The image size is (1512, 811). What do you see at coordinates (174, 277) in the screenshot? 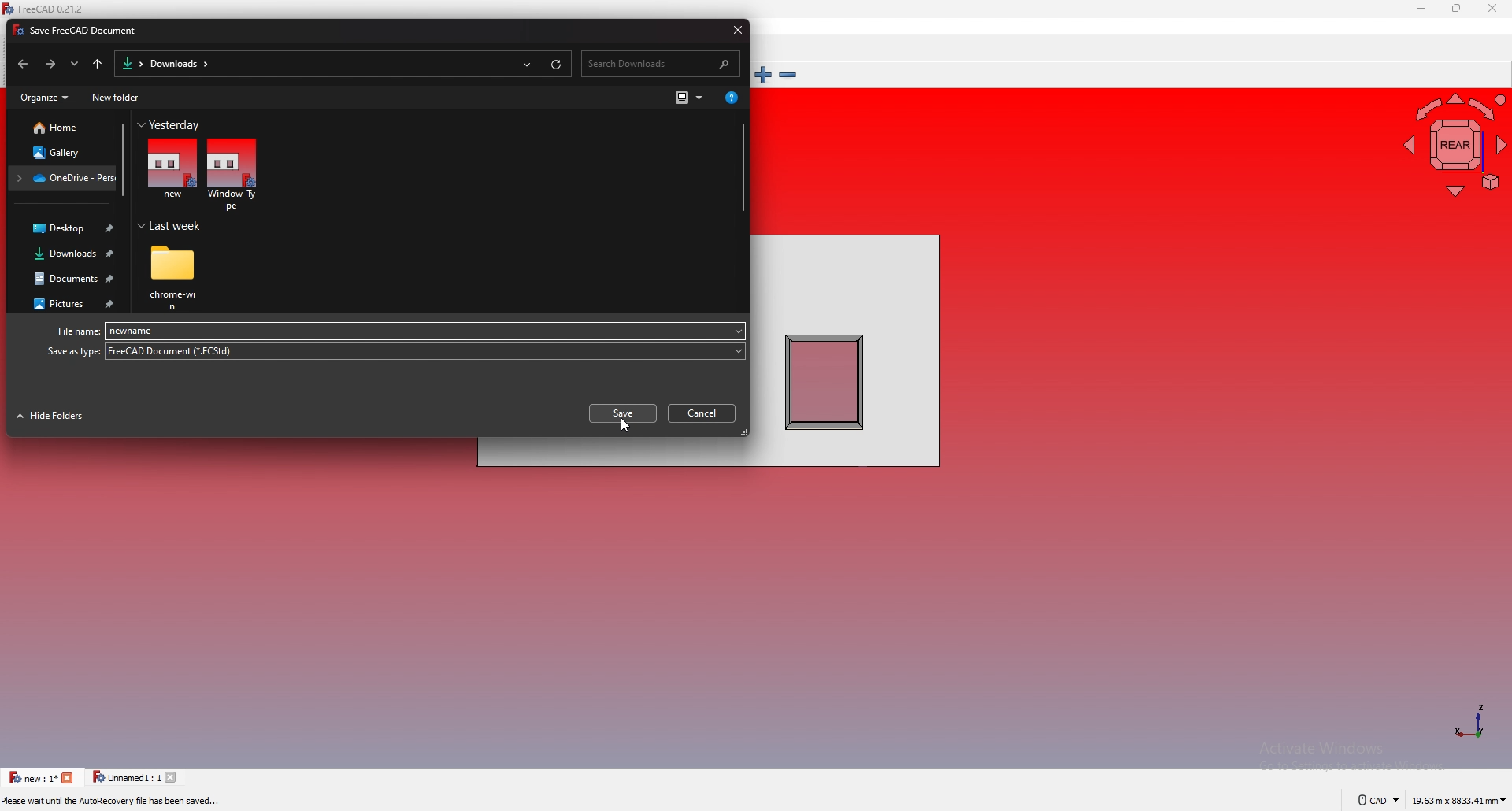
I see `folder` at bounding box center [174, 277].